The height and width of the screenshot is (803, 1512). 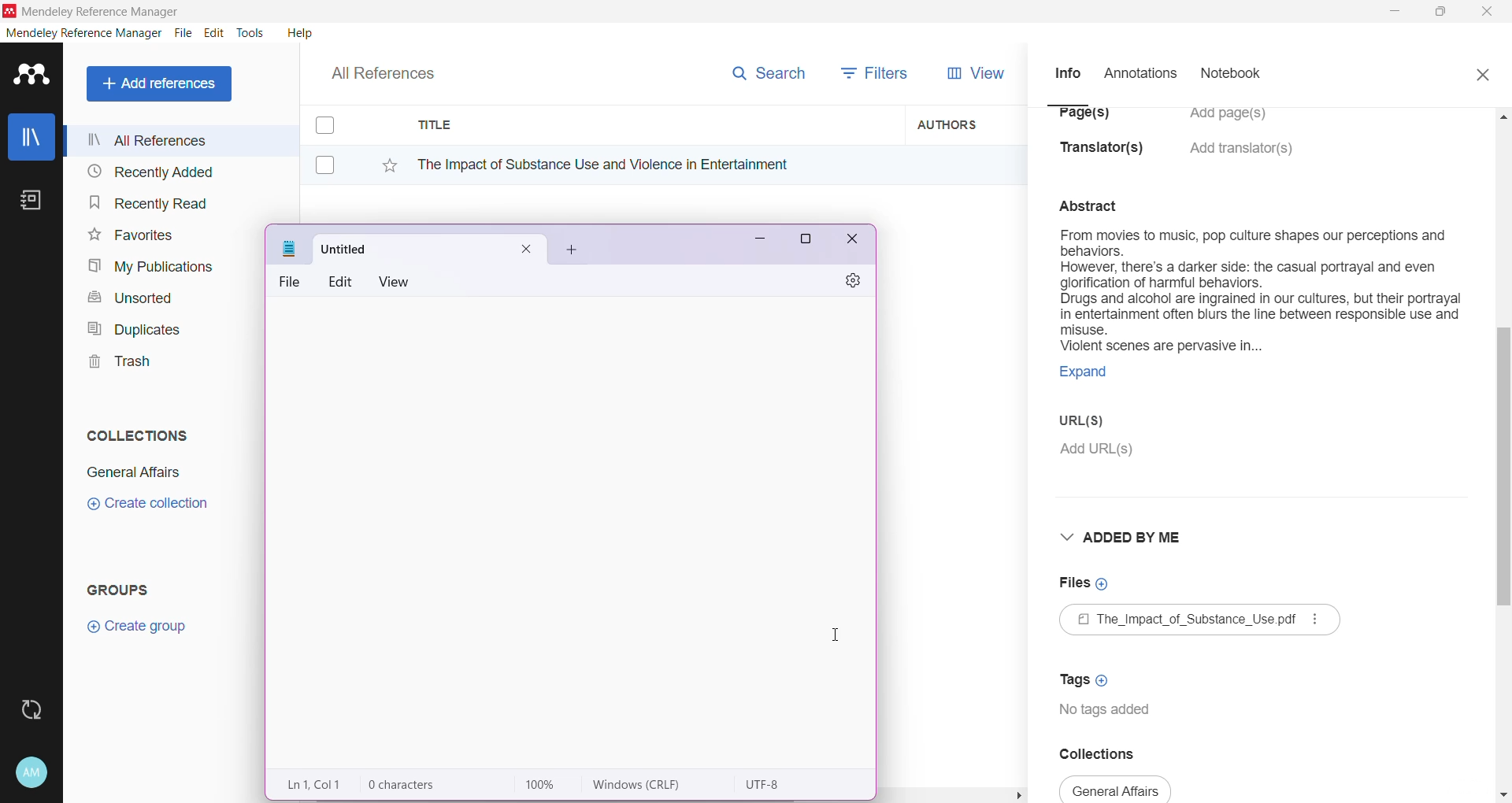 What do you see at coordinates (1109, 753) in the screenshot?
I see `Collections` at bounding box center [1109, 753].